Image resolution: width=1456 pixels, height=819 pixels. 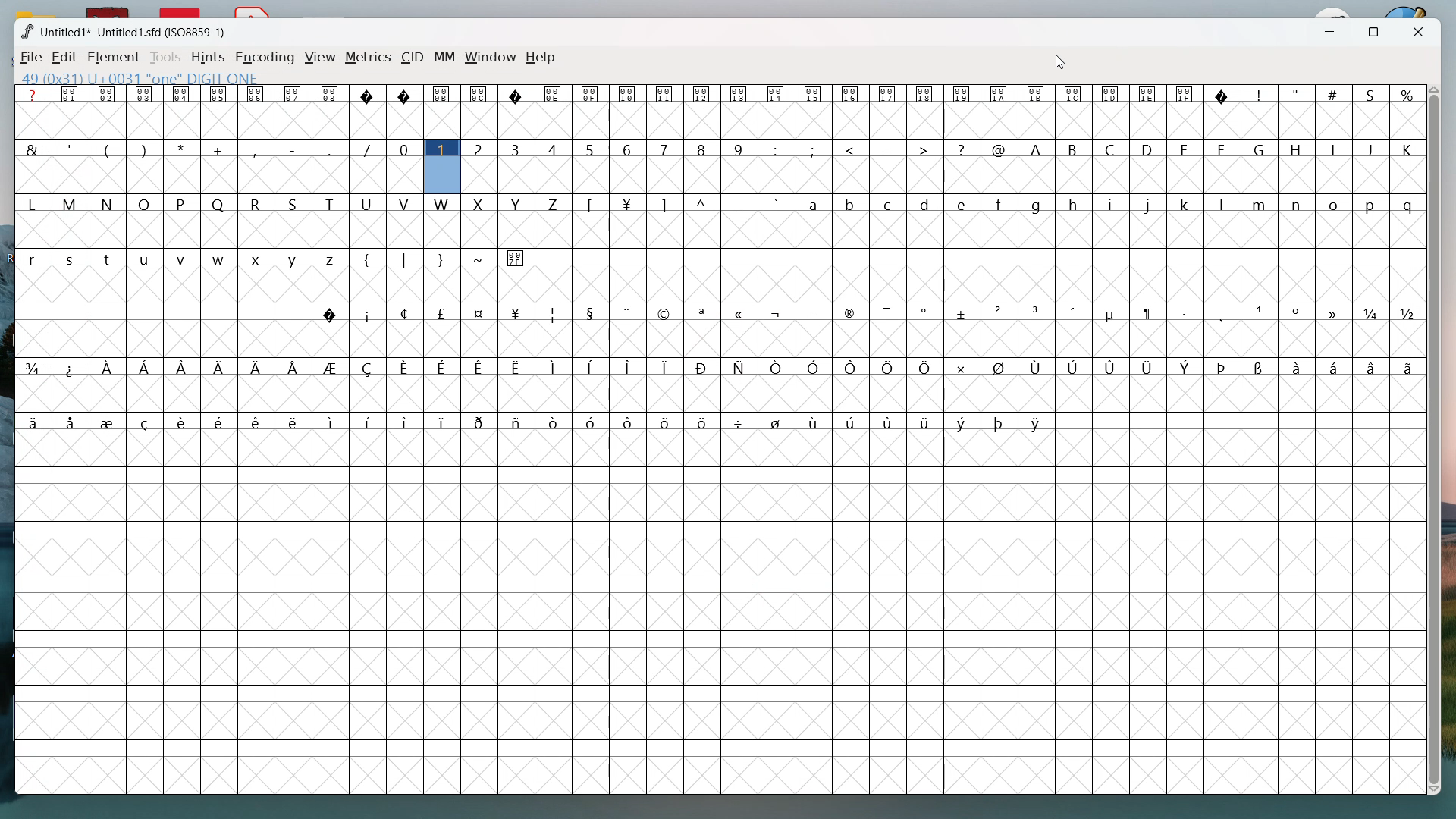 I want to click on symbol, so click(x=295, y=423).